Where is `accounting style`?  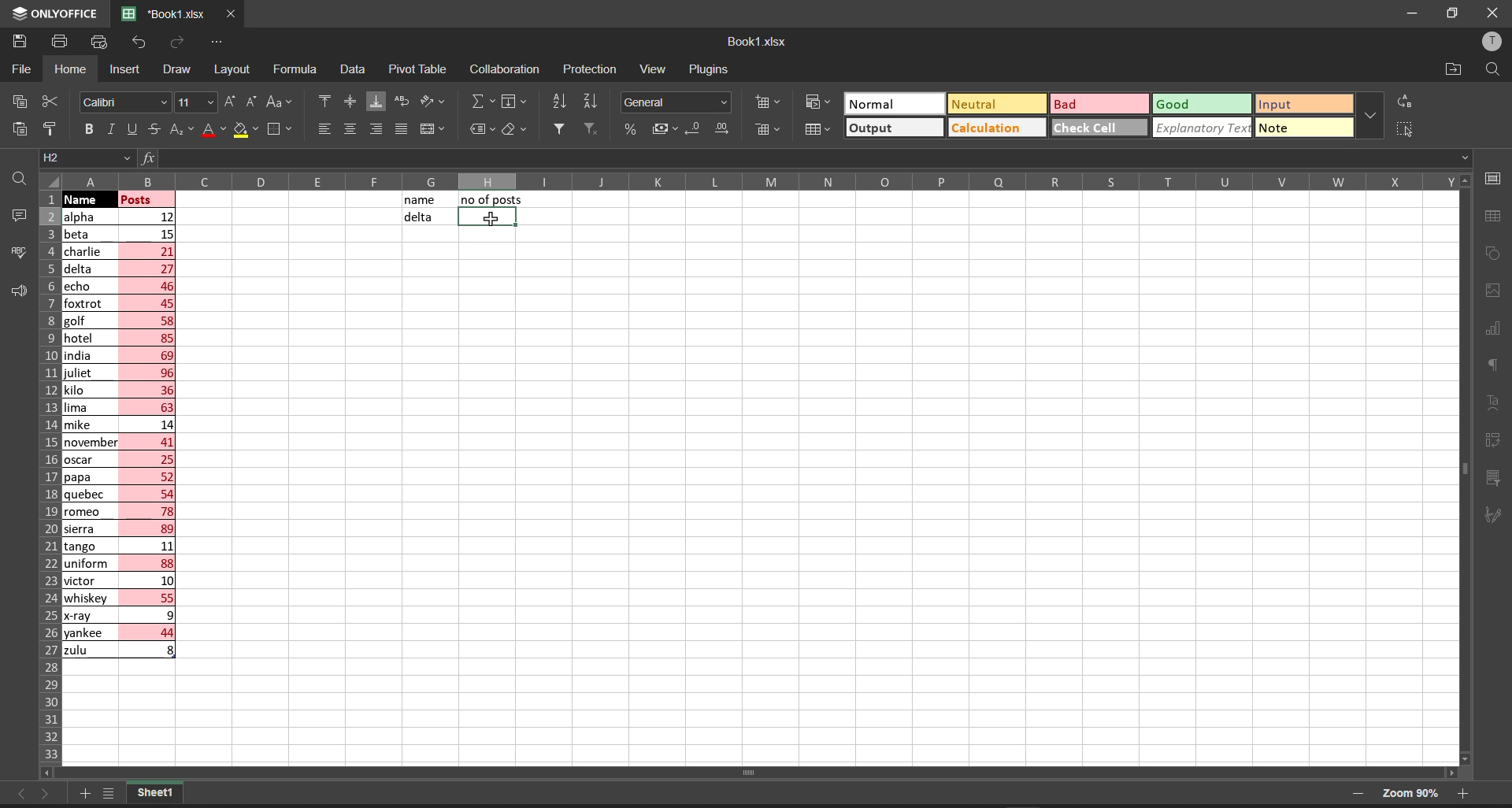 accounting style is located at coordinates (658, 128).